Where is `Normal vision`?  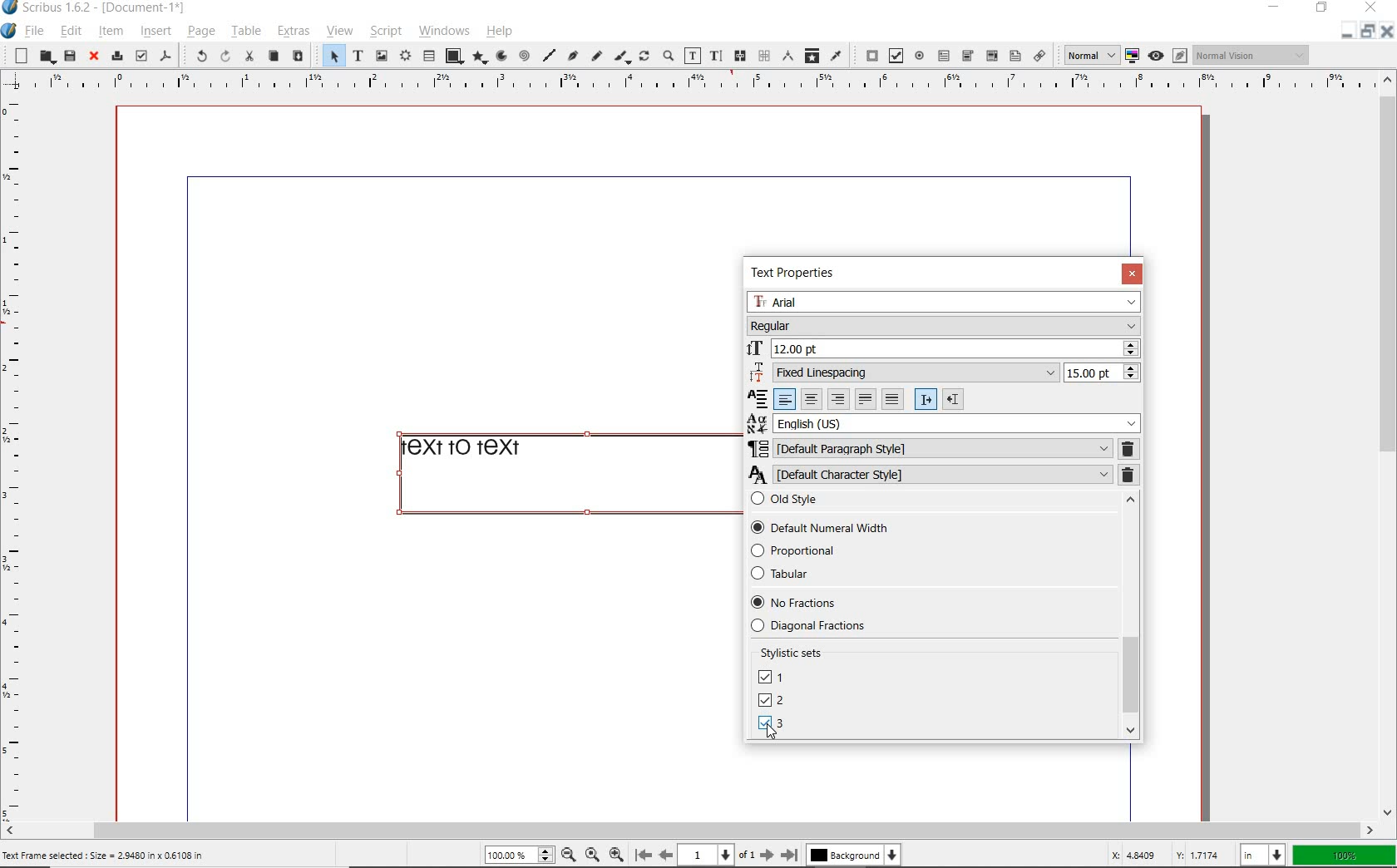 Normal vision is located at coordinates (1251, 56).